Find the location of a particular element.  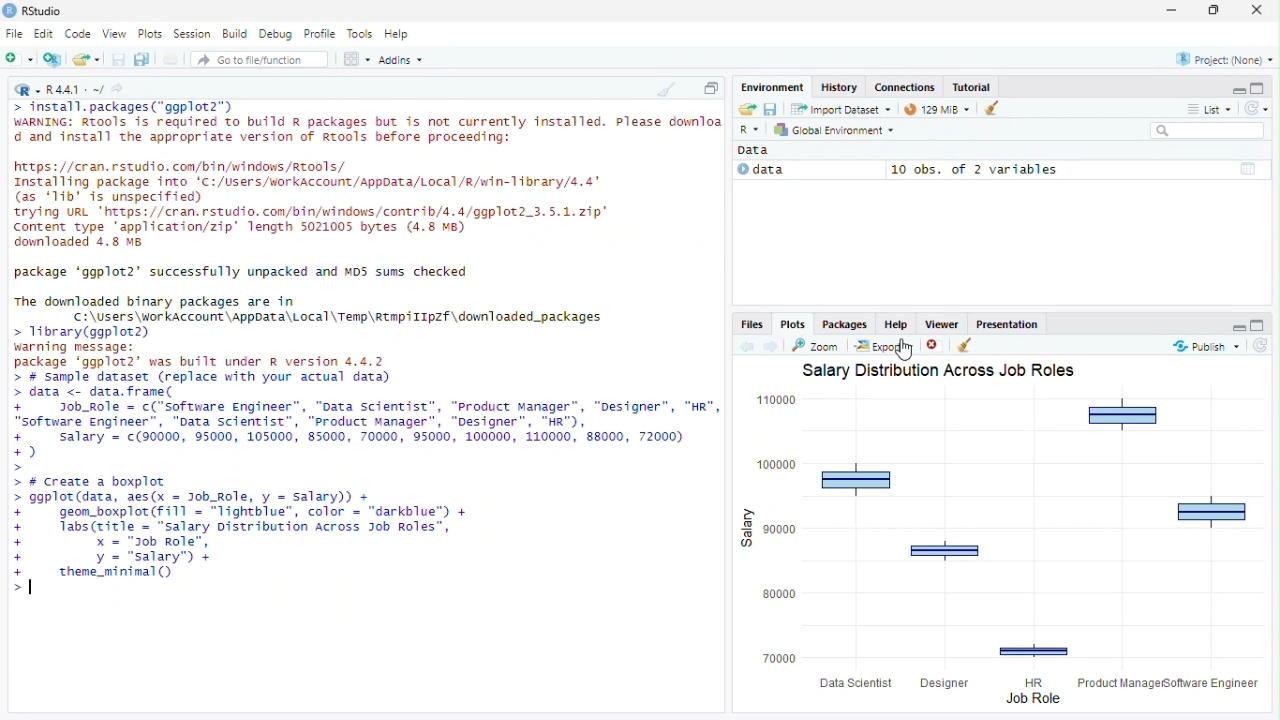

Tutorial is located at coordinates (971, 87).